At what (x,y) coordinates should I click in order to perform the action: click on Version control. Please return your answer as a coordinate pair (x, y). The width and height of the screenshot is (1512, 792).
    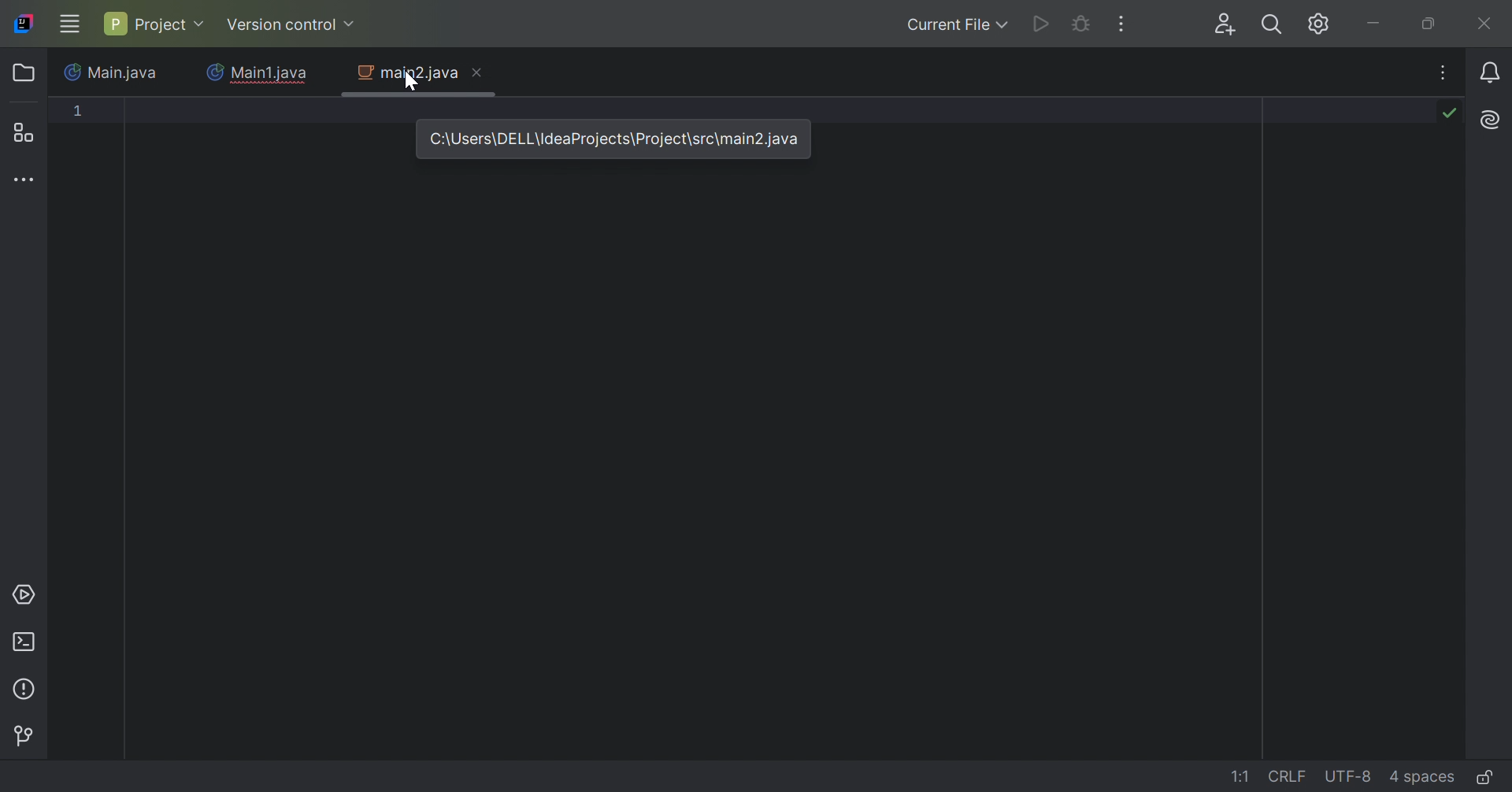
    Looking at the image, I should click on (27, 738).